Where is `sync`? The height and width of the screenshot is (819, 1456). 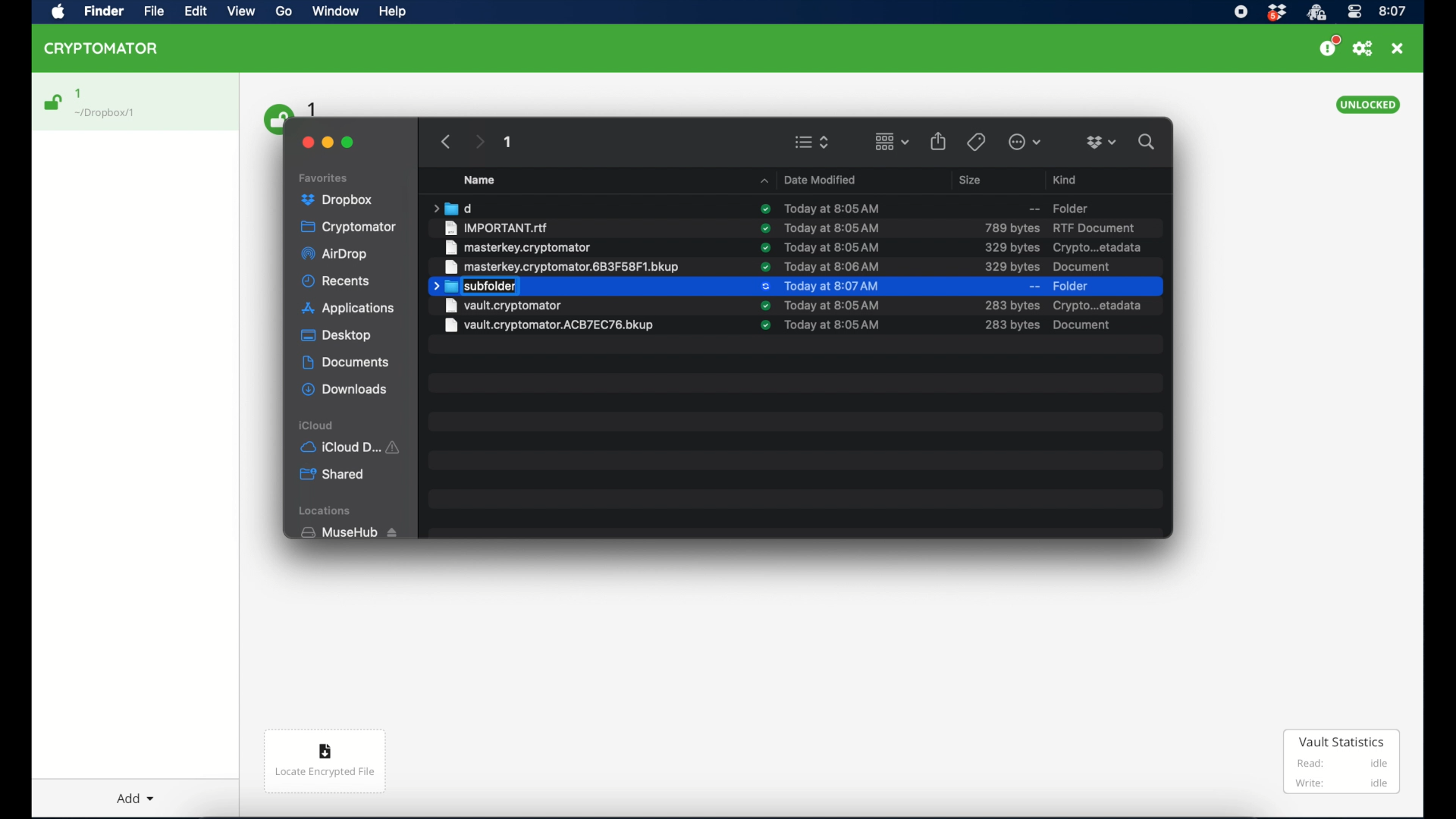 sync is located at coordinates (764, 330).